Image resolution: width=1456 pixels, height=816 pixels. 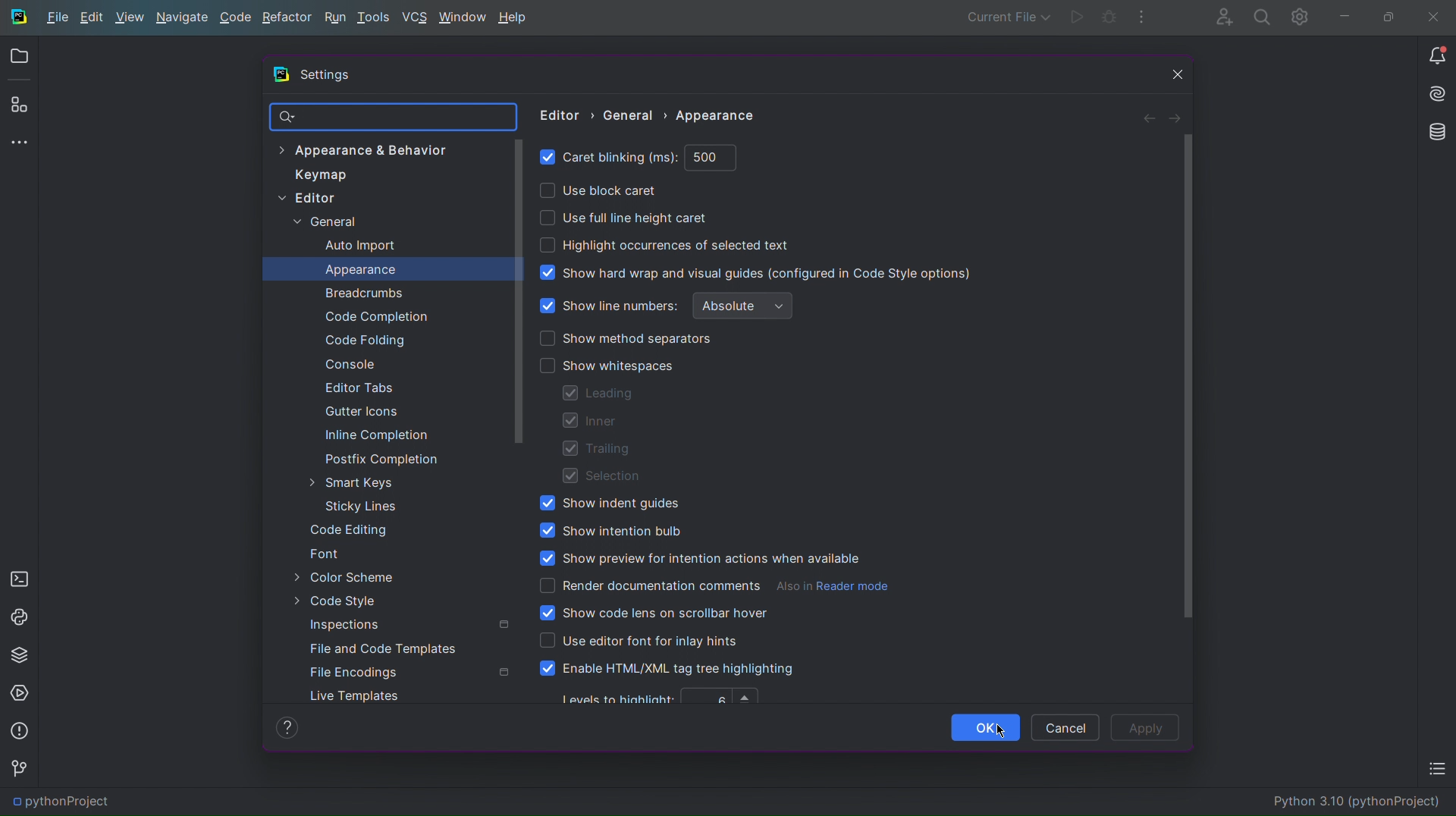 I want to click on OK, so click(x=984, y=727).